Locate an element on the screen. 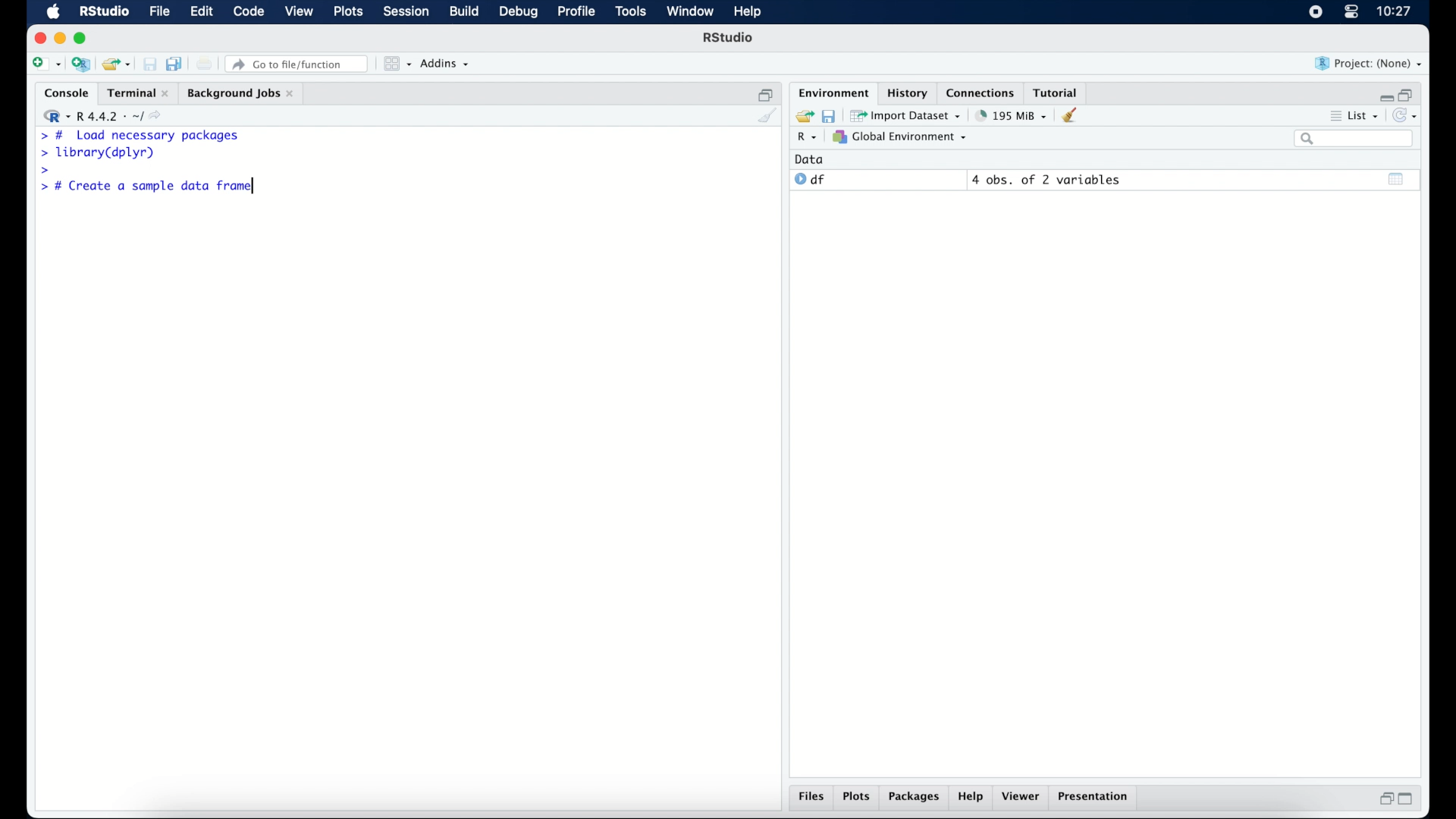 This screenshot has height=819, width=1456. > # Create a sample data frame] is located at coordinates (150, 187).